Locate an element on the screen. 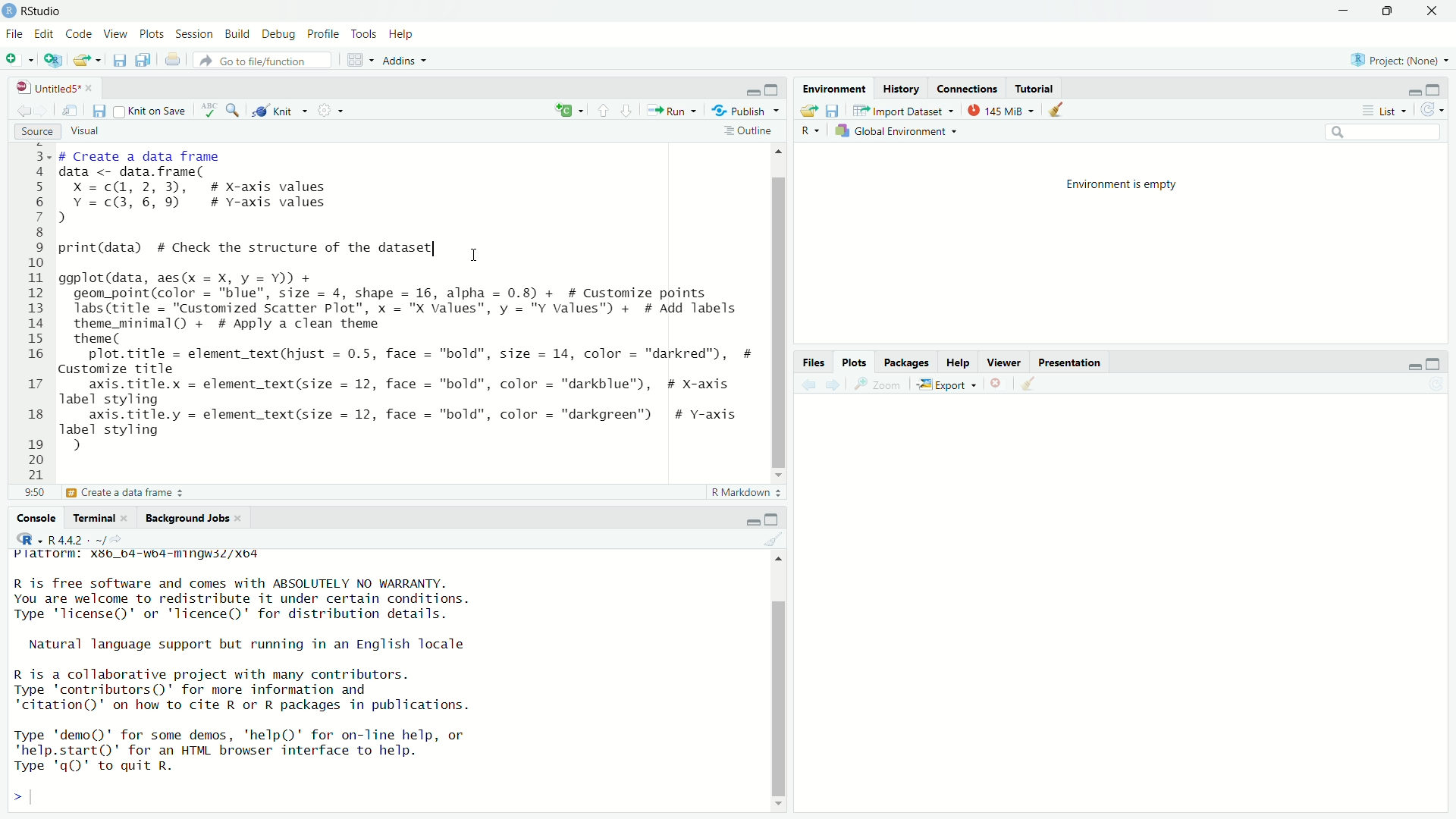  Tutorial is located at coordinates (1036, 90).